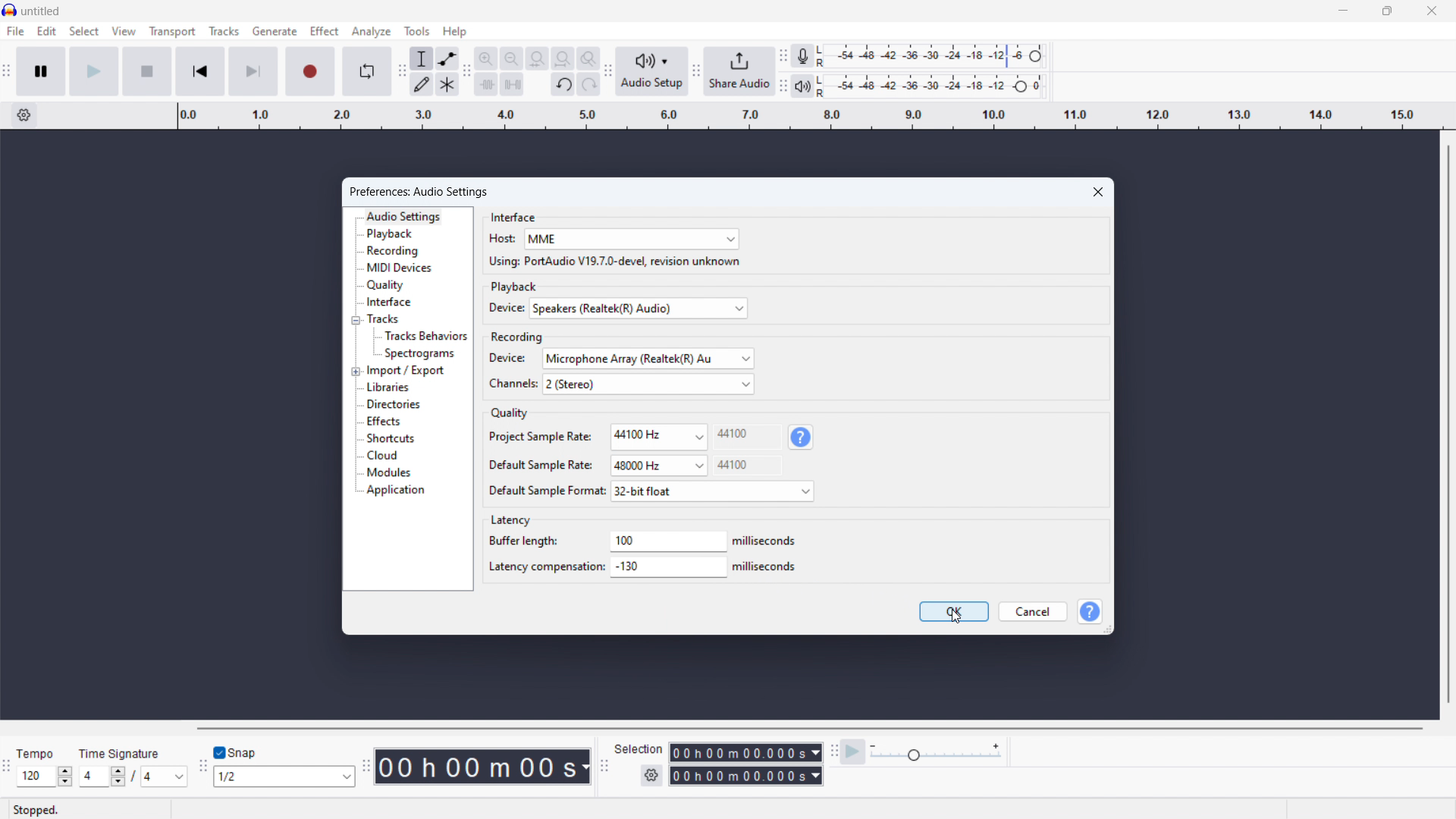  Describe the element at coordinates (957, 619) in the screenshot. I see `cursor` at that location.